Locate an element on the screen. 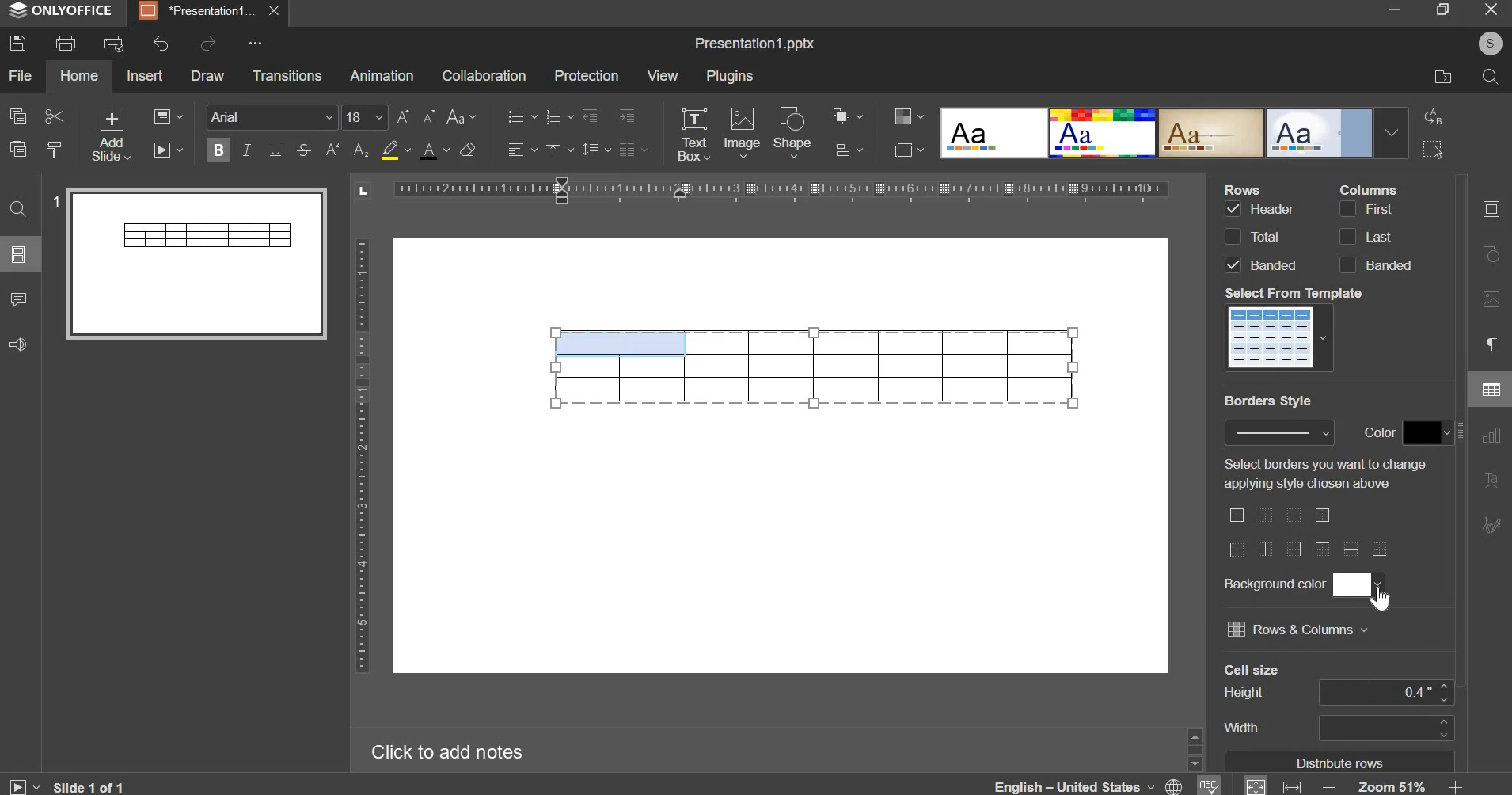 This screenshot has width=1512, height=795. table is located at coordinates (815, 367).